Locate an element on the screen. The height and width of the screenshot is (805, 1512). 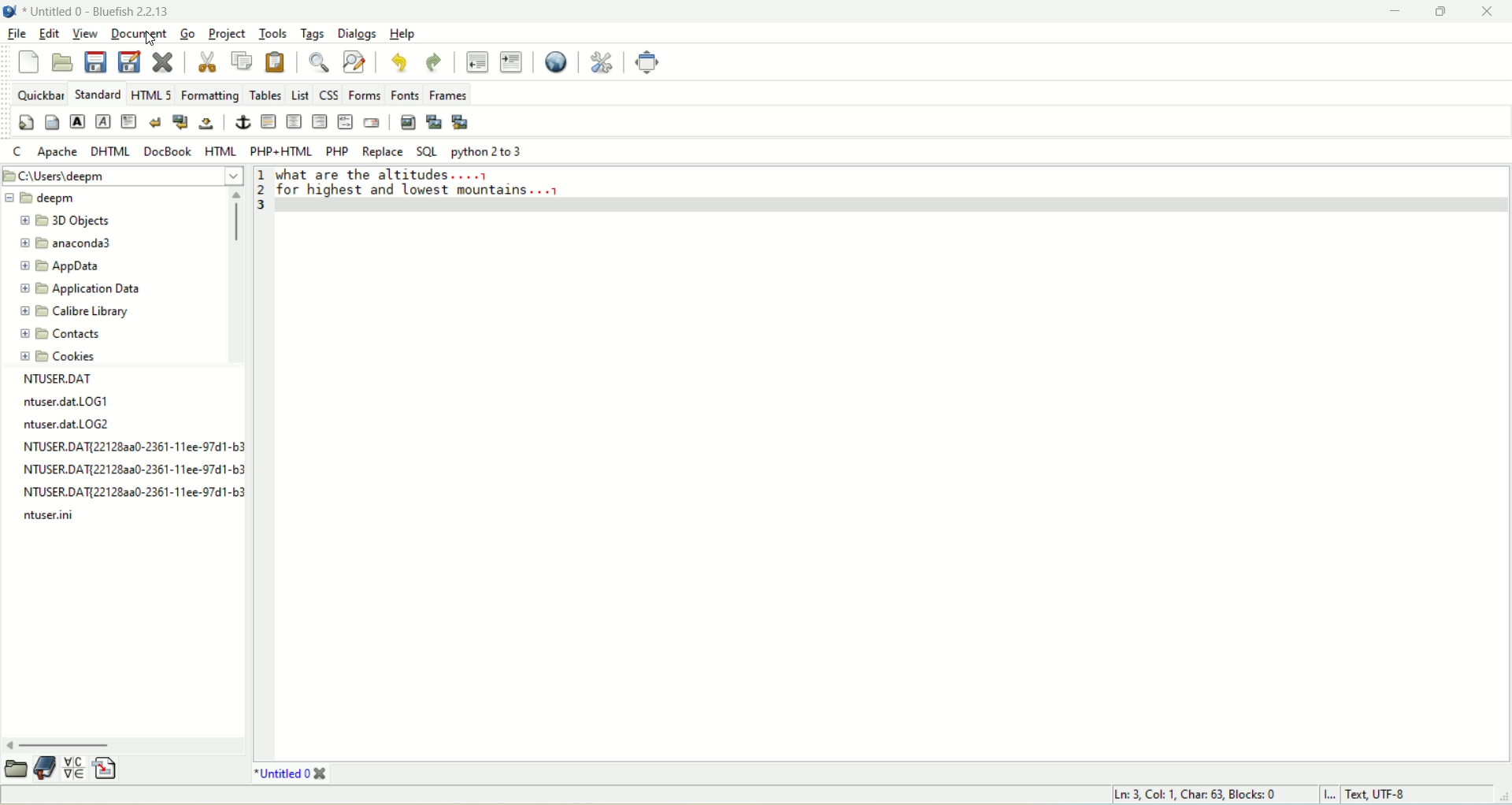
indent is located at coordinates (510, 63).